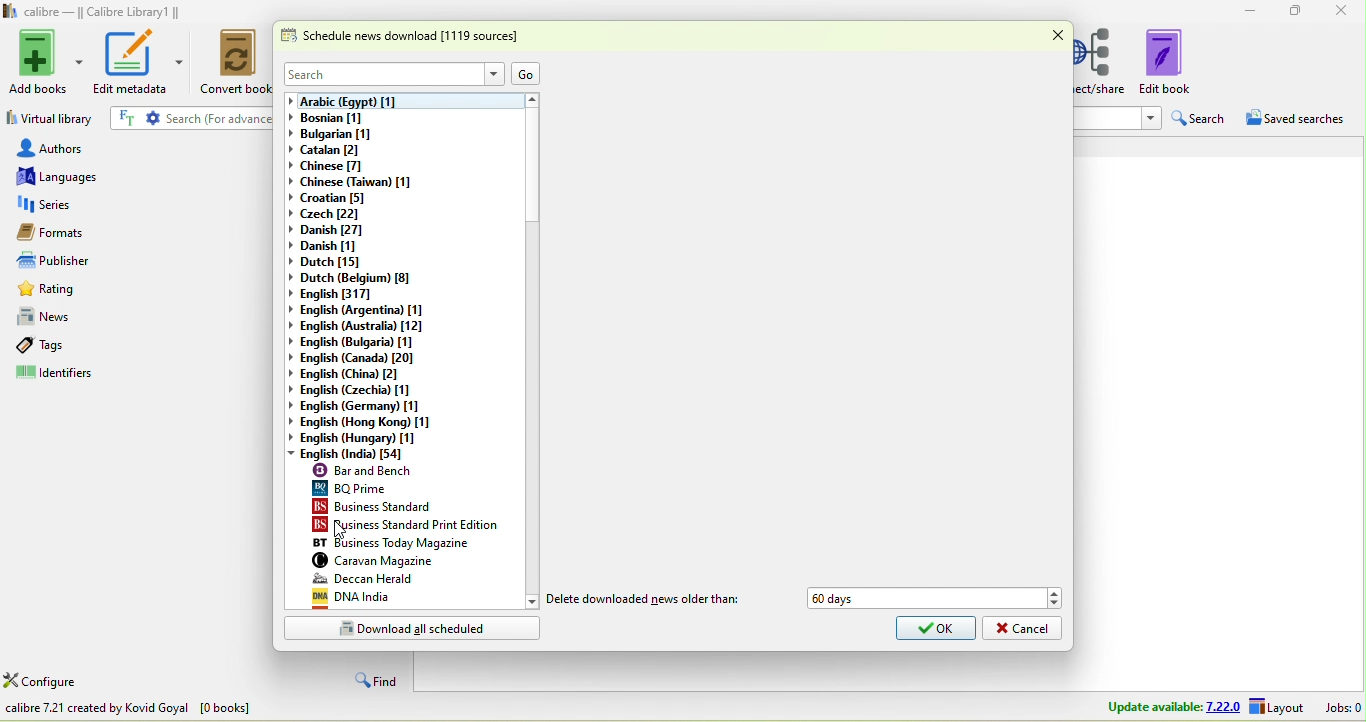 Image resolution: width=1366 pixels, height=722 pixels. I want to click on add books, so click(38, 63).